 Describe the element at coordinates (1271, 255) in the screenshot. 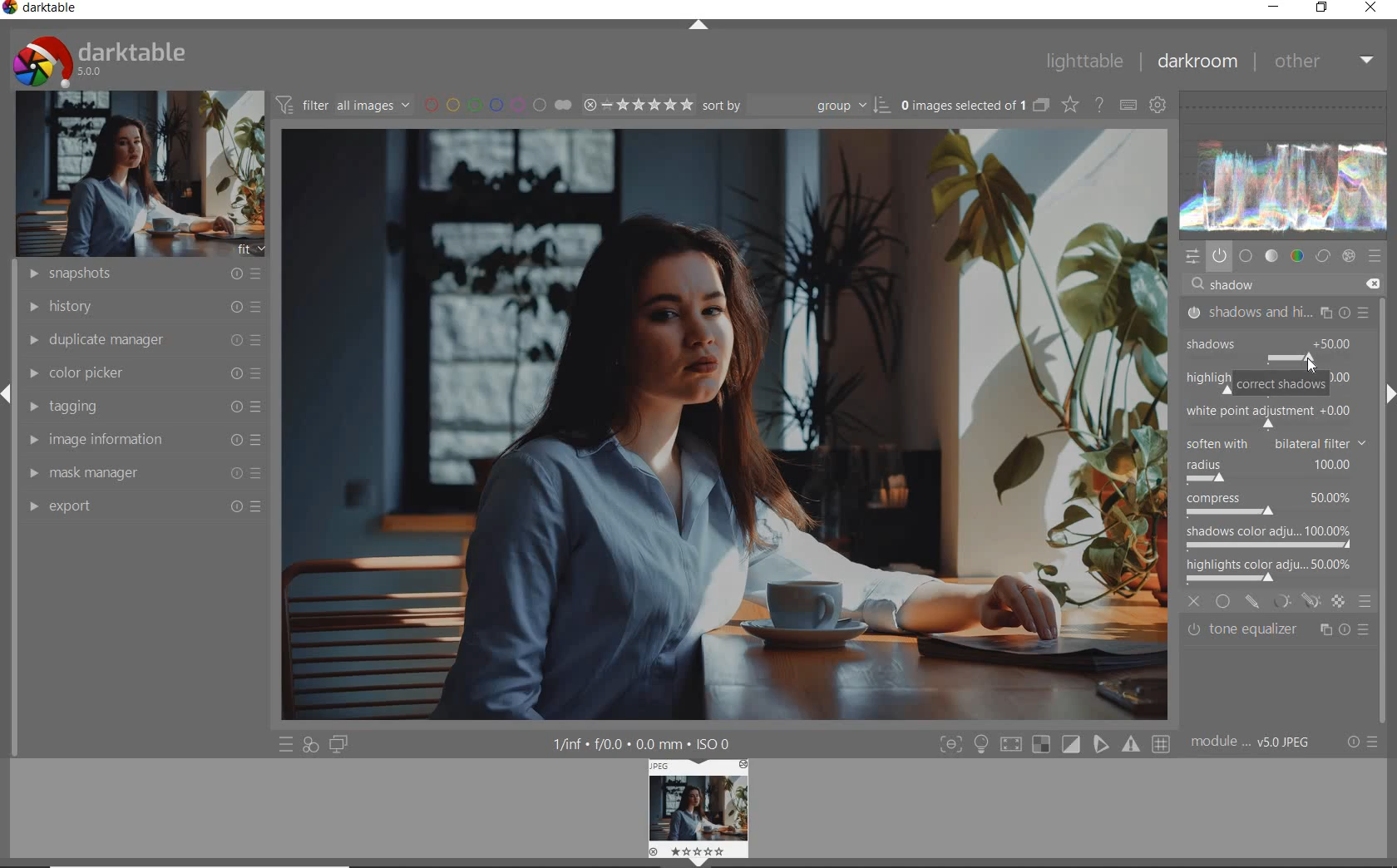

I see `tone` at that location.